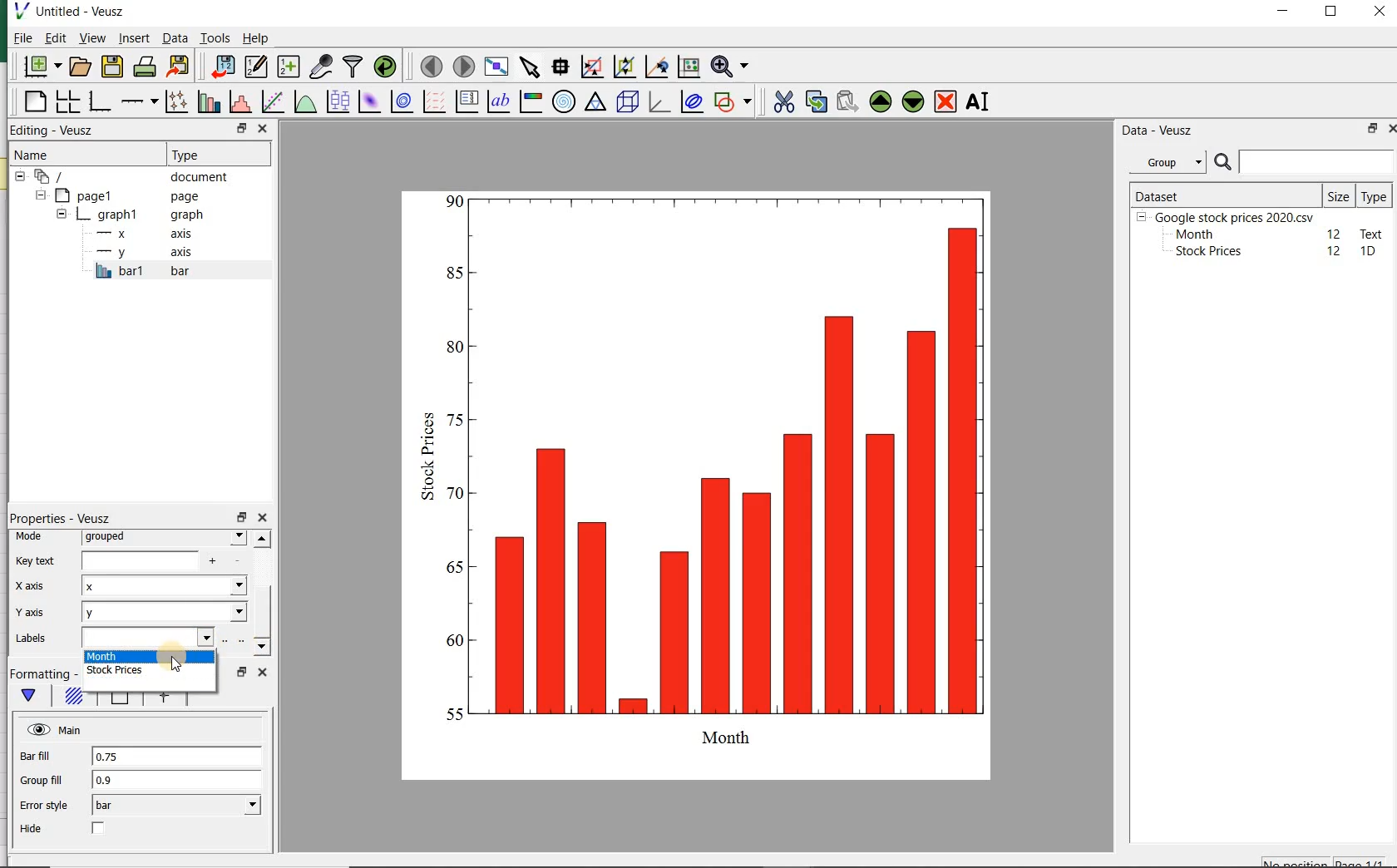  Describe the element at coordinates (239, 104) in the screenshot. I see `histogram of a dataset` at that location.